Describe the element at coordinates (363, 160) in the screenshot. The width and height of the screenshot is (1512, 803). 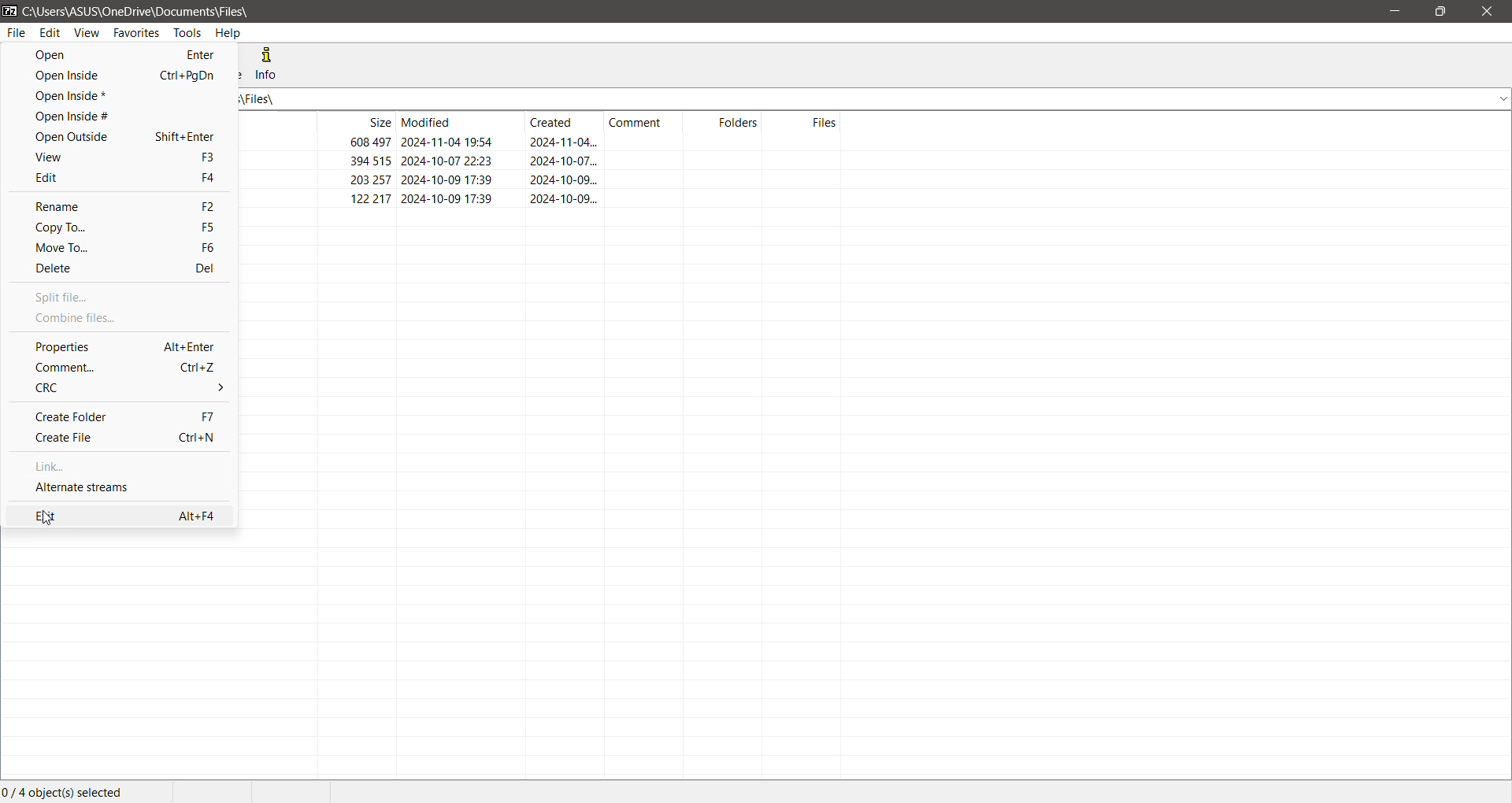
I see `394 515` at that location.